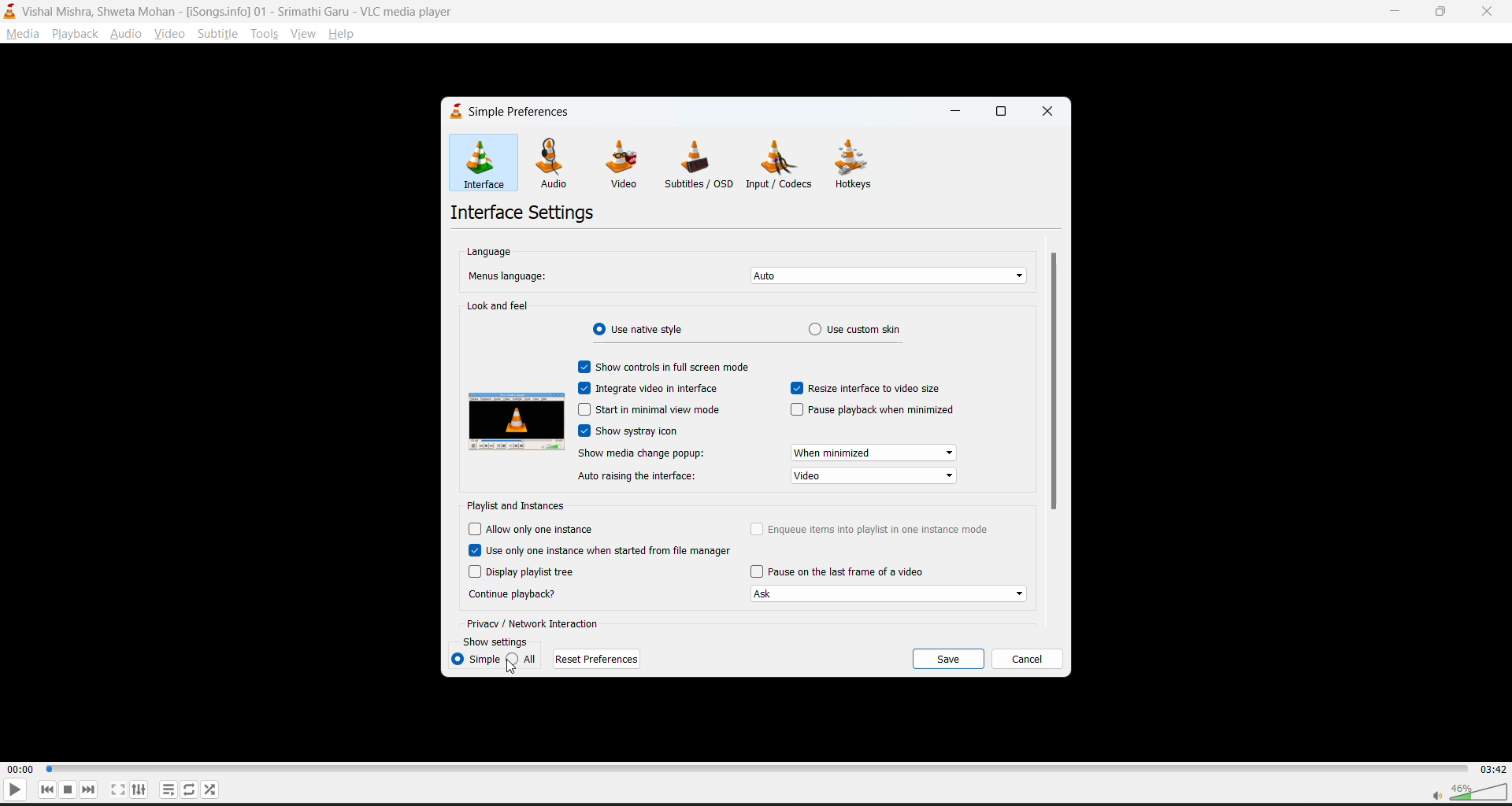  I want to click on cancel, so click(1030, 659).